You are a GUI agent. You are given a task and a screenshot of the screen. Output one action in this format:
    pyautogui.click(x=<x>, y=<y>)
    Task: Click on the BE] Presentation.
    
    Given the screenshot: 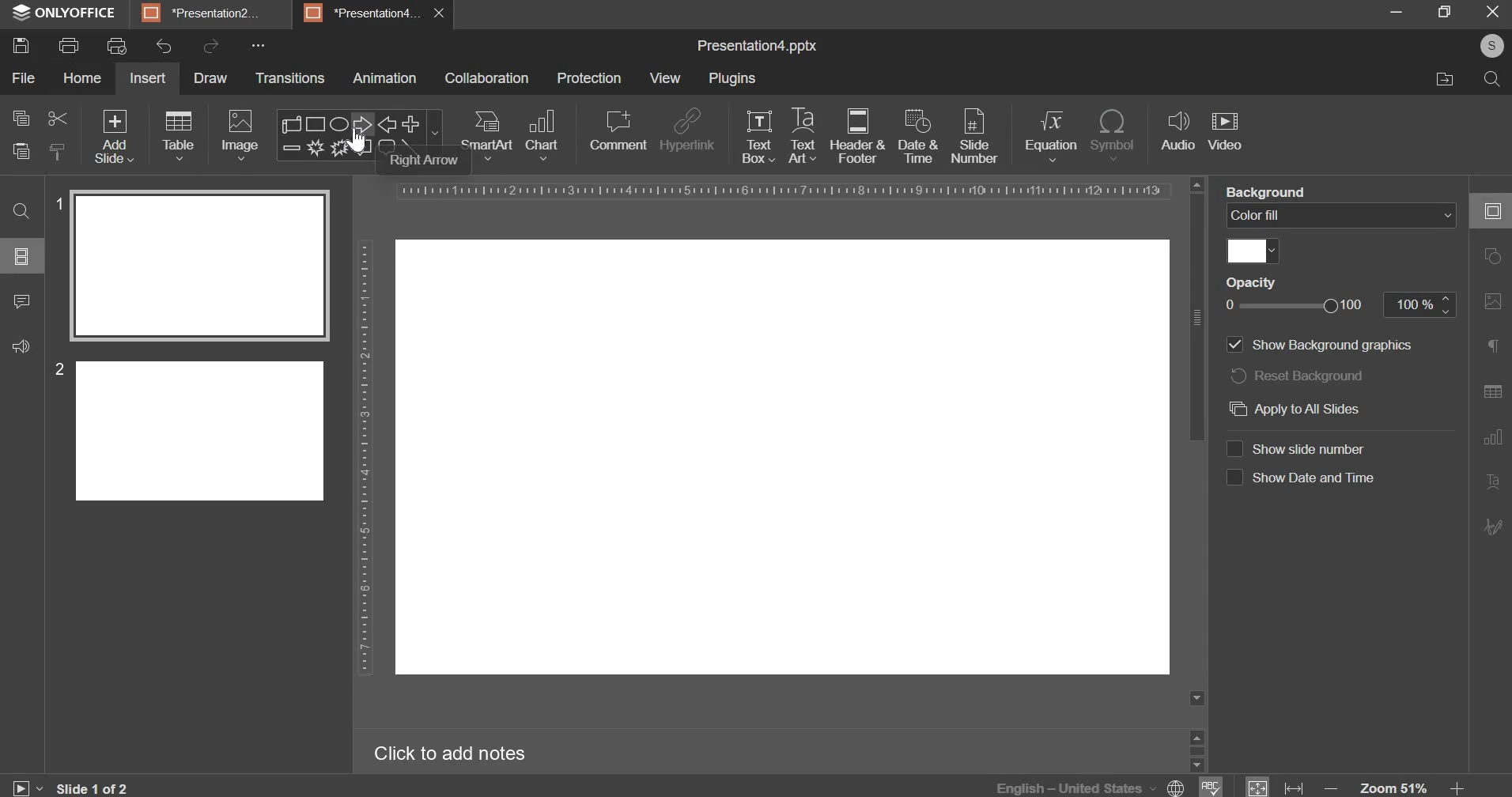 What is the action you would take?
    pyautogui.click(x=206, y=11)
    